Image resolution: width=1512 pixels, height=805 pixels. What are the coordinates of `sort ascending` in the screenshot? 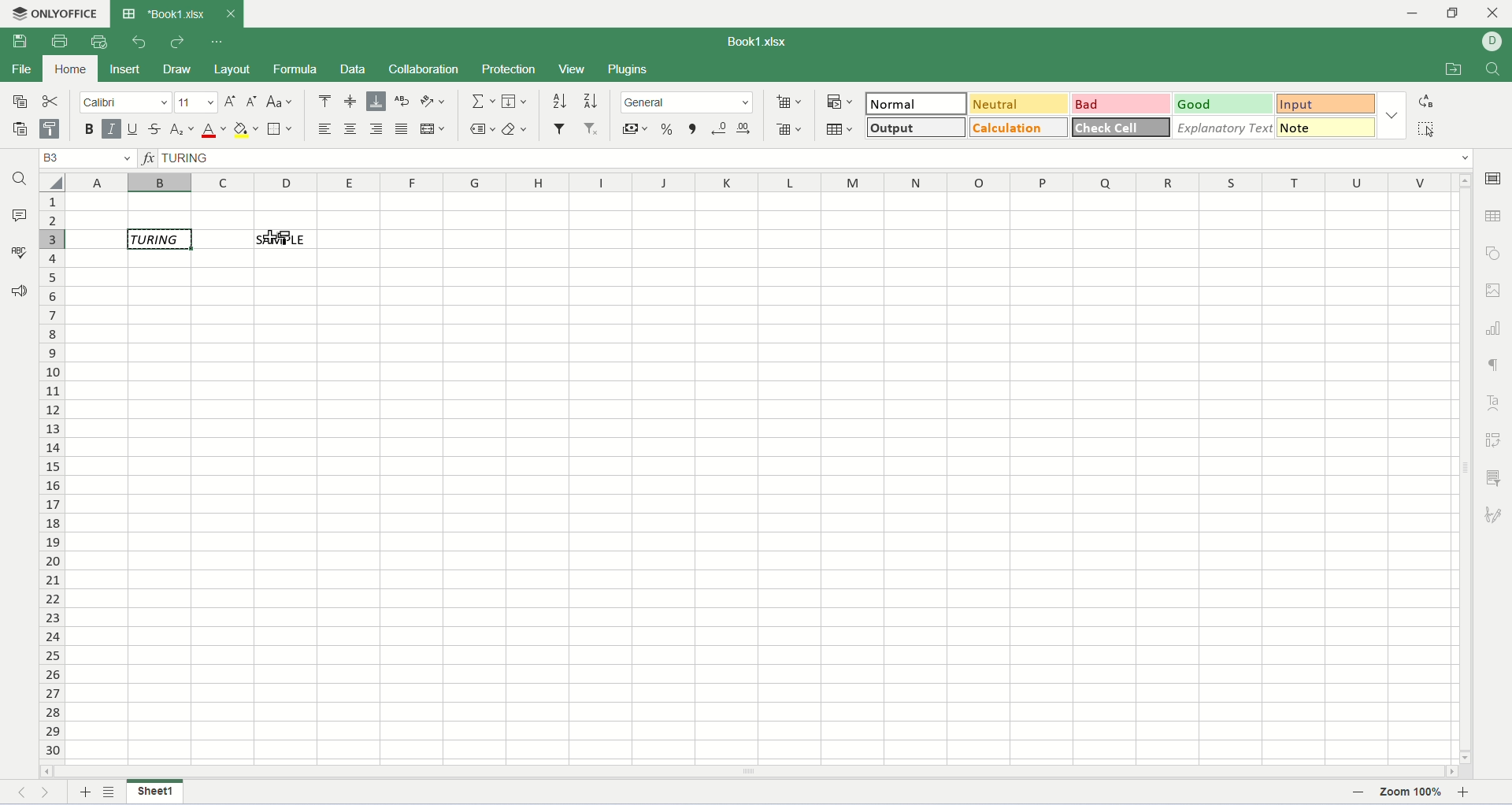 It's located at (560, 102).